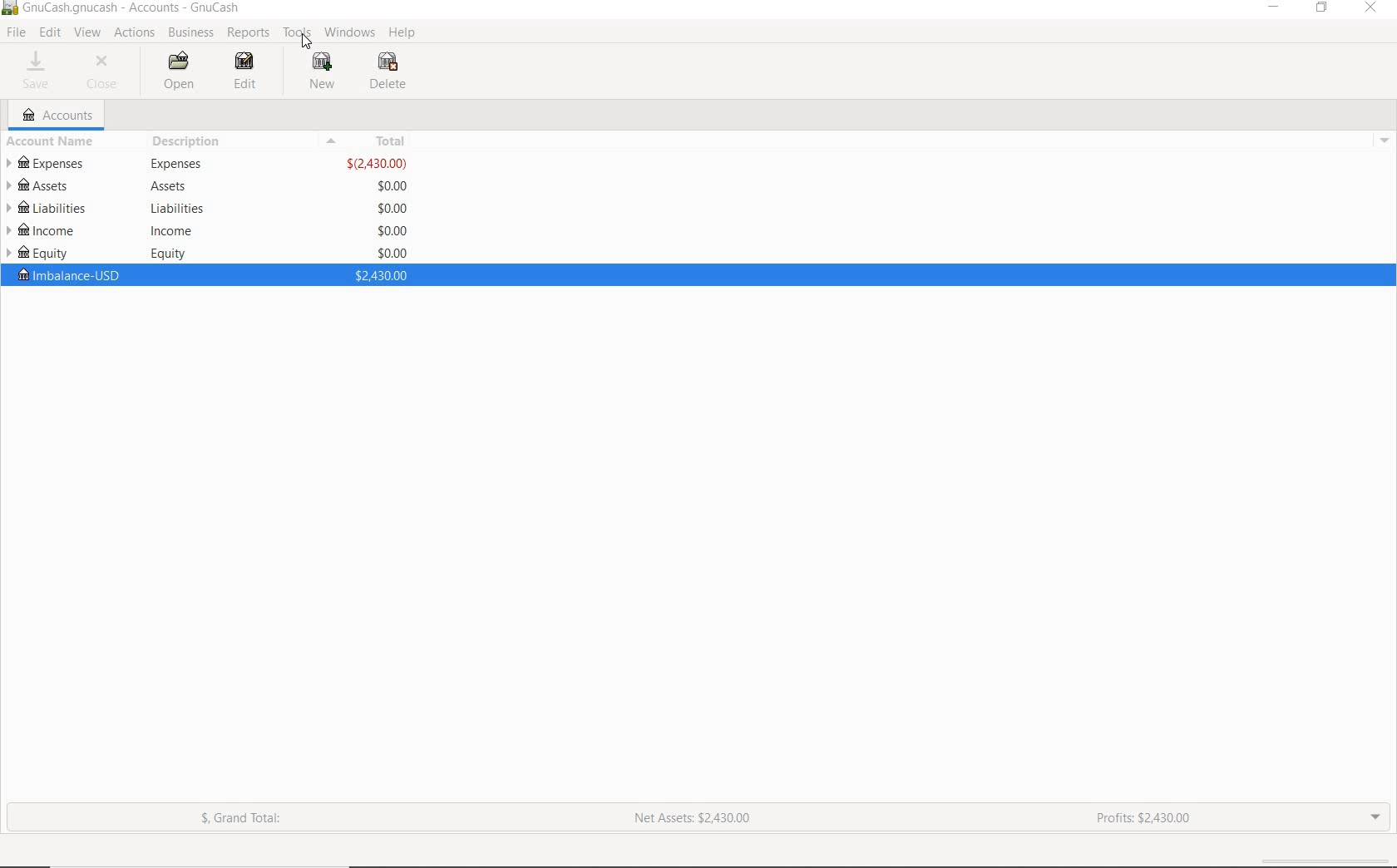  What do you see at coordinates (297, 33) in the screenshot?
I see `TOOLS` at bounding box center [297, 33].